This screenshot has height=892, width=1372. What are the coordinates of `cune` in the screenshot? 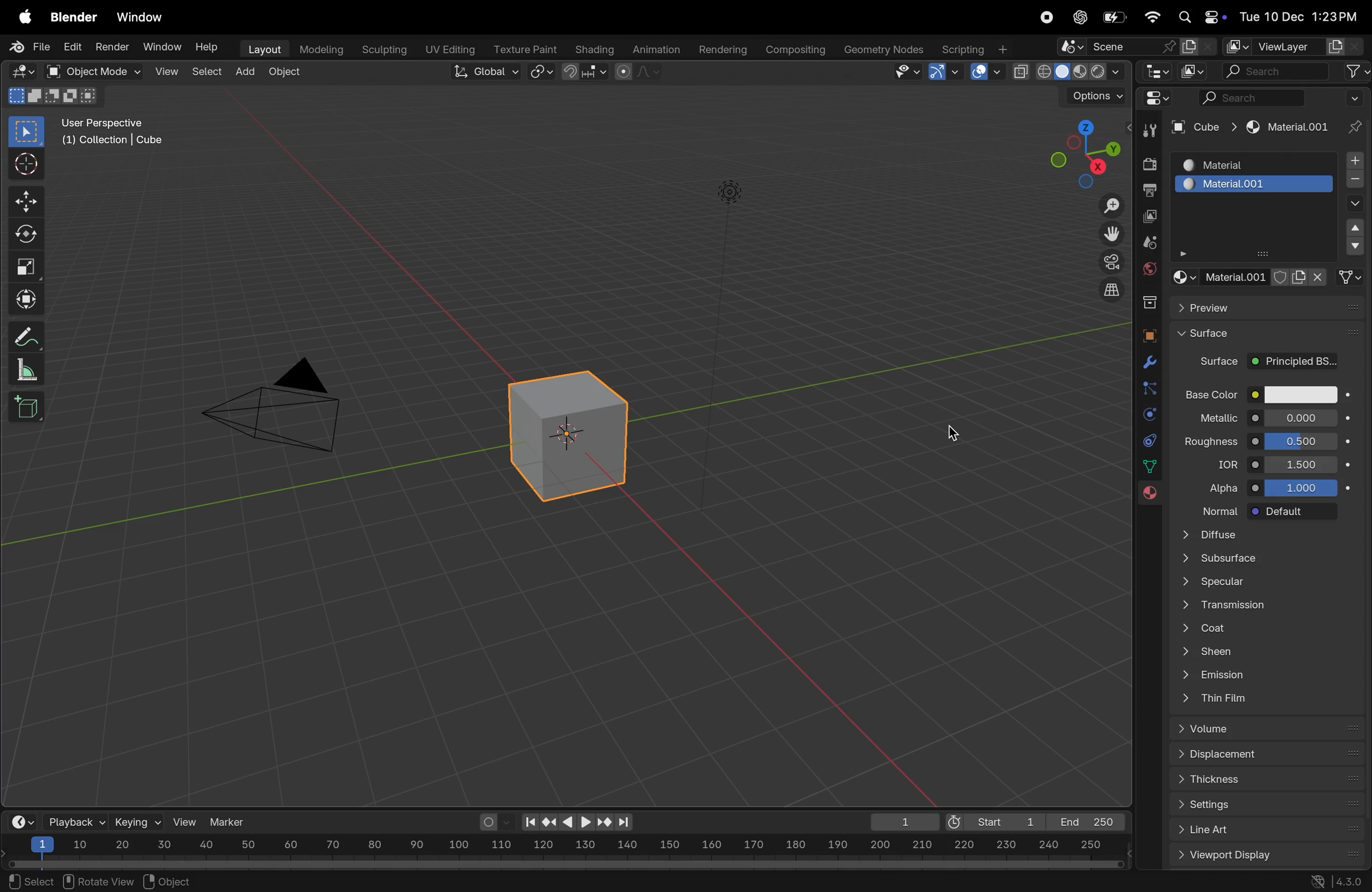 It's located at (1203, 127).